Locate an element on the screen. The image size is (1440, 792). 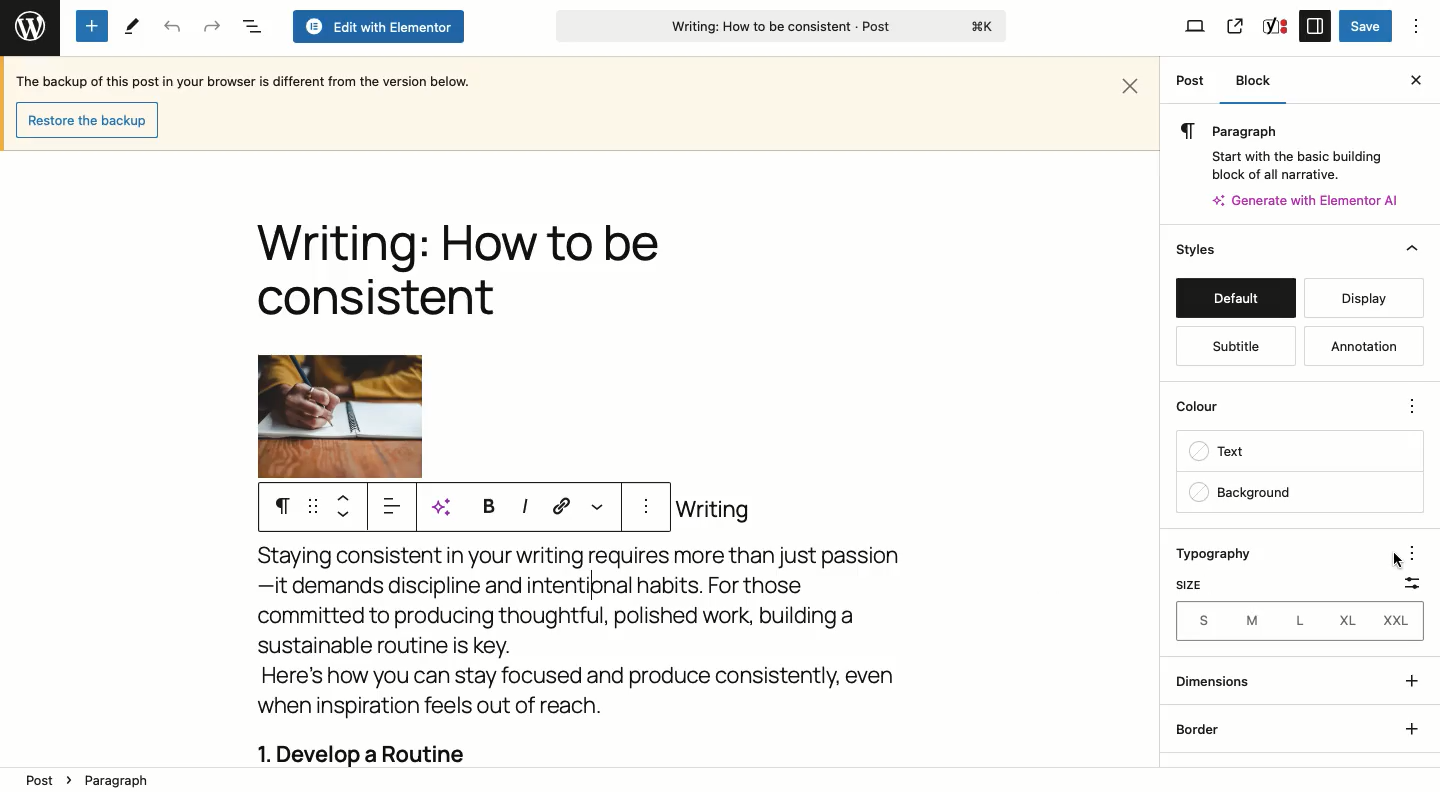
AI is located at coordinates (448, 507).